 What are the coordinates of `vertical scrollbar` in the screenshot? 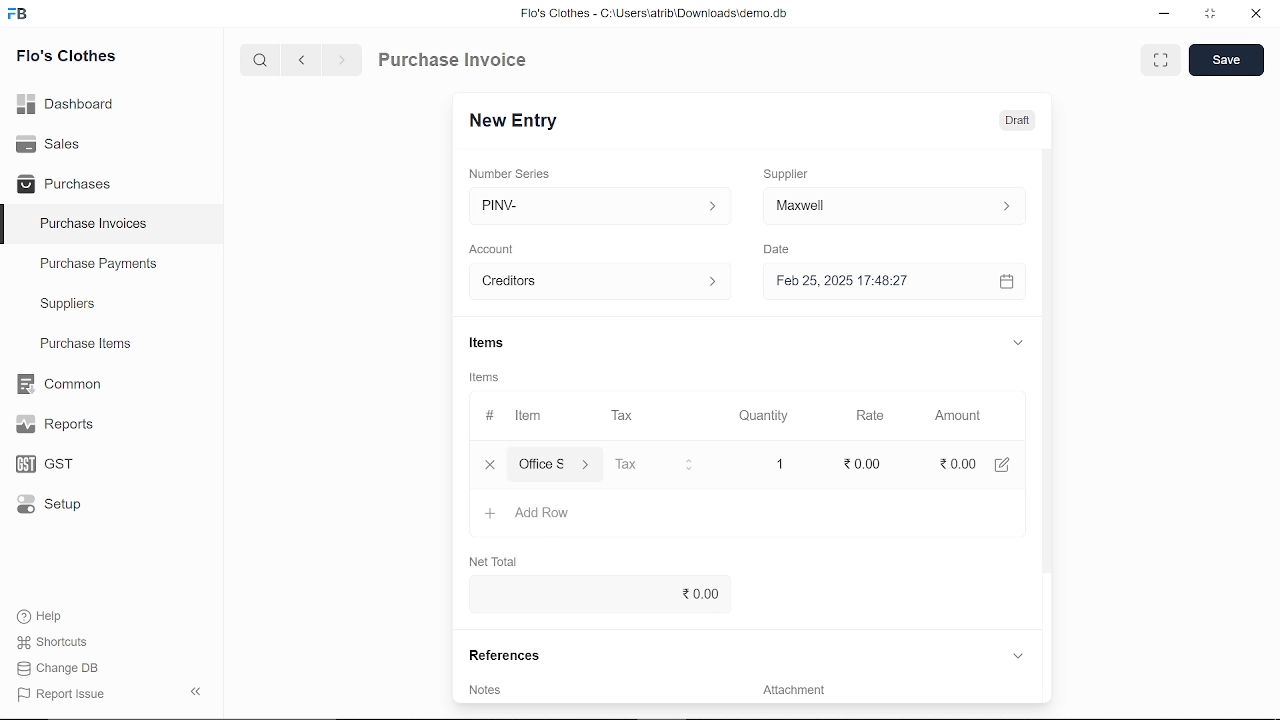 It's located at (1045, 360).